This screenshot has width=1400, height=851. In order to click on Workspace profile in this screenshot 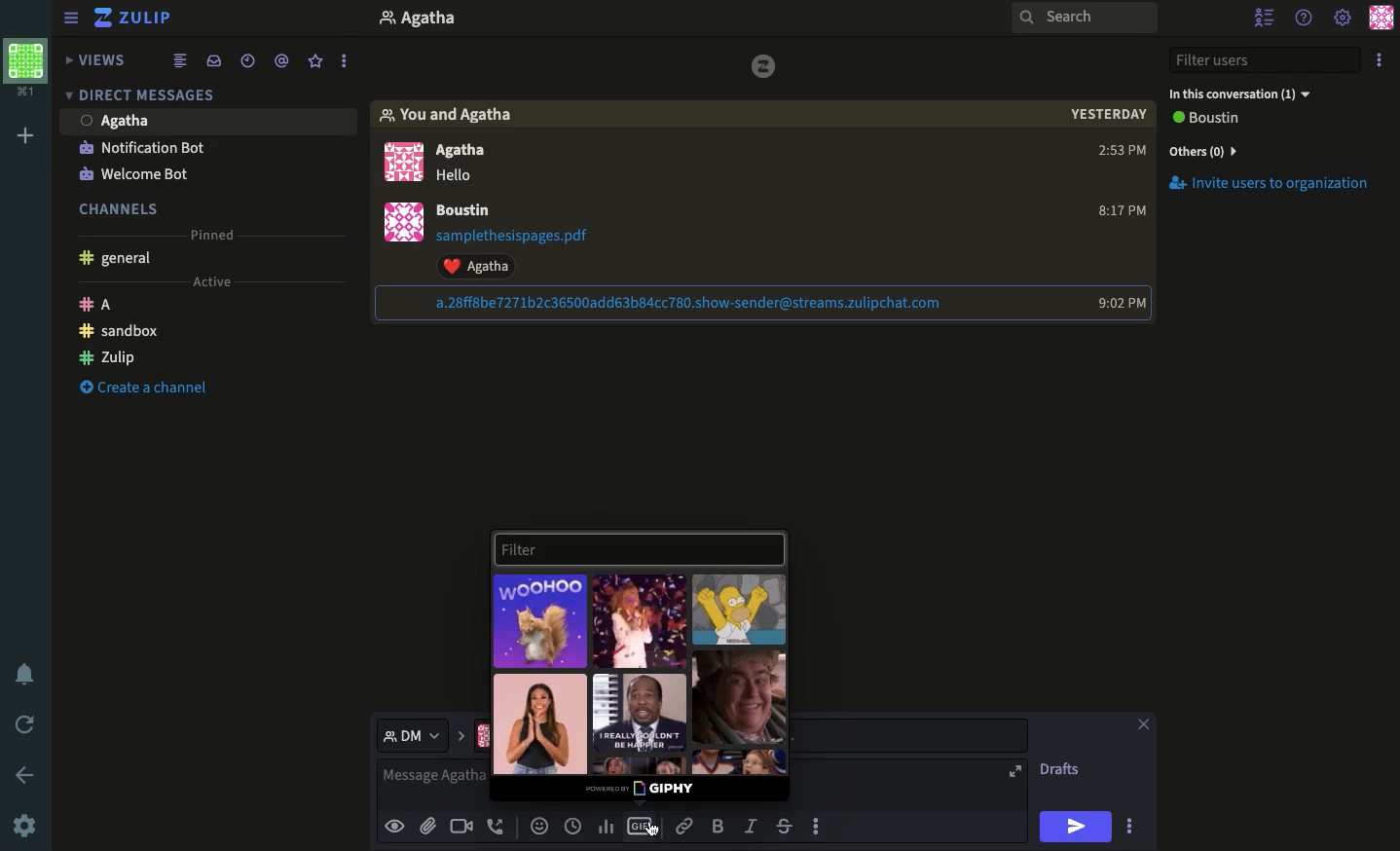, I will do `click(21, 65)`.